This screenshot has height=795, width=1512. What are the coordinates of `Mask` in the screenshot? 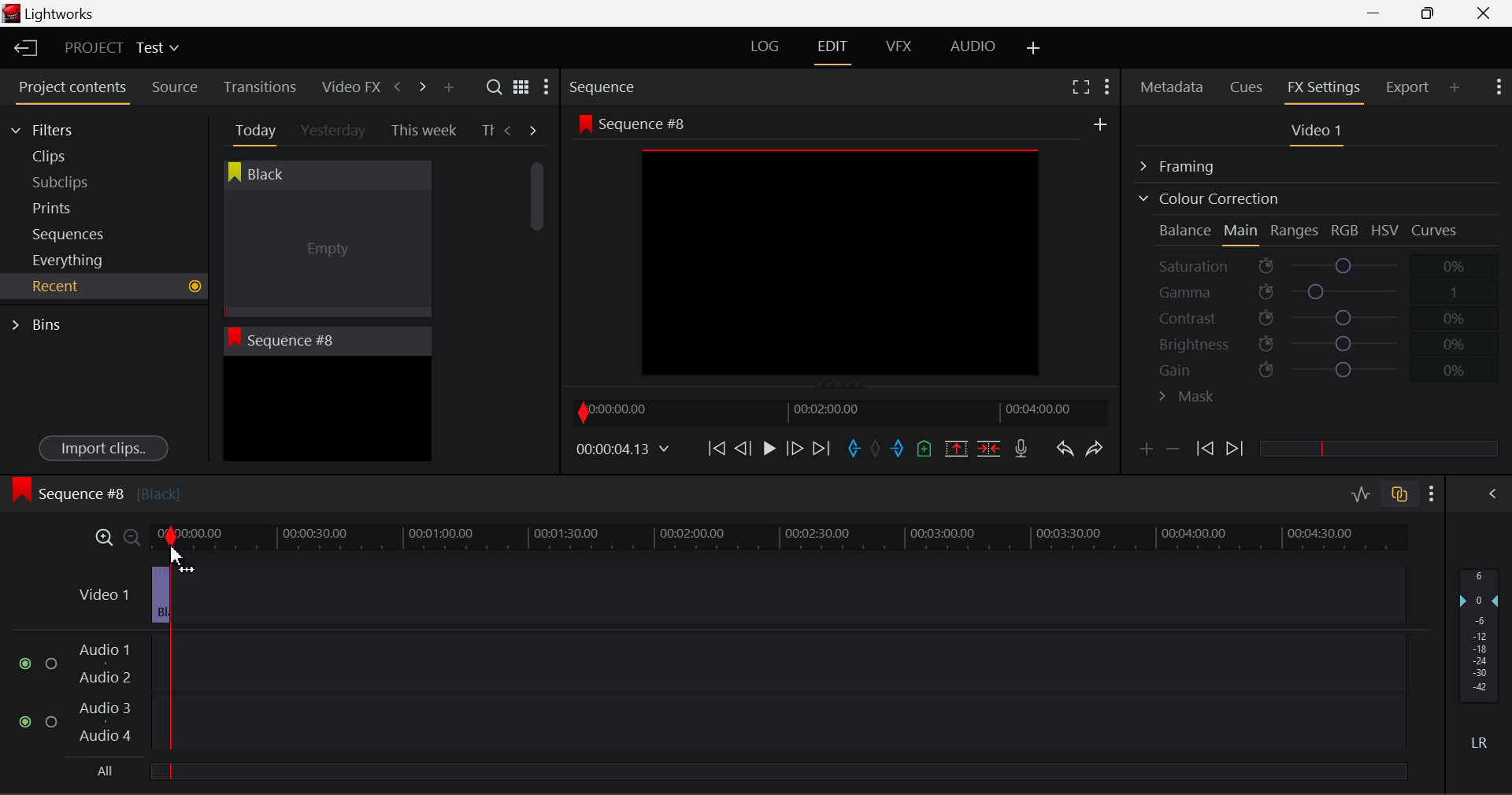 It's located at (1188, 398).